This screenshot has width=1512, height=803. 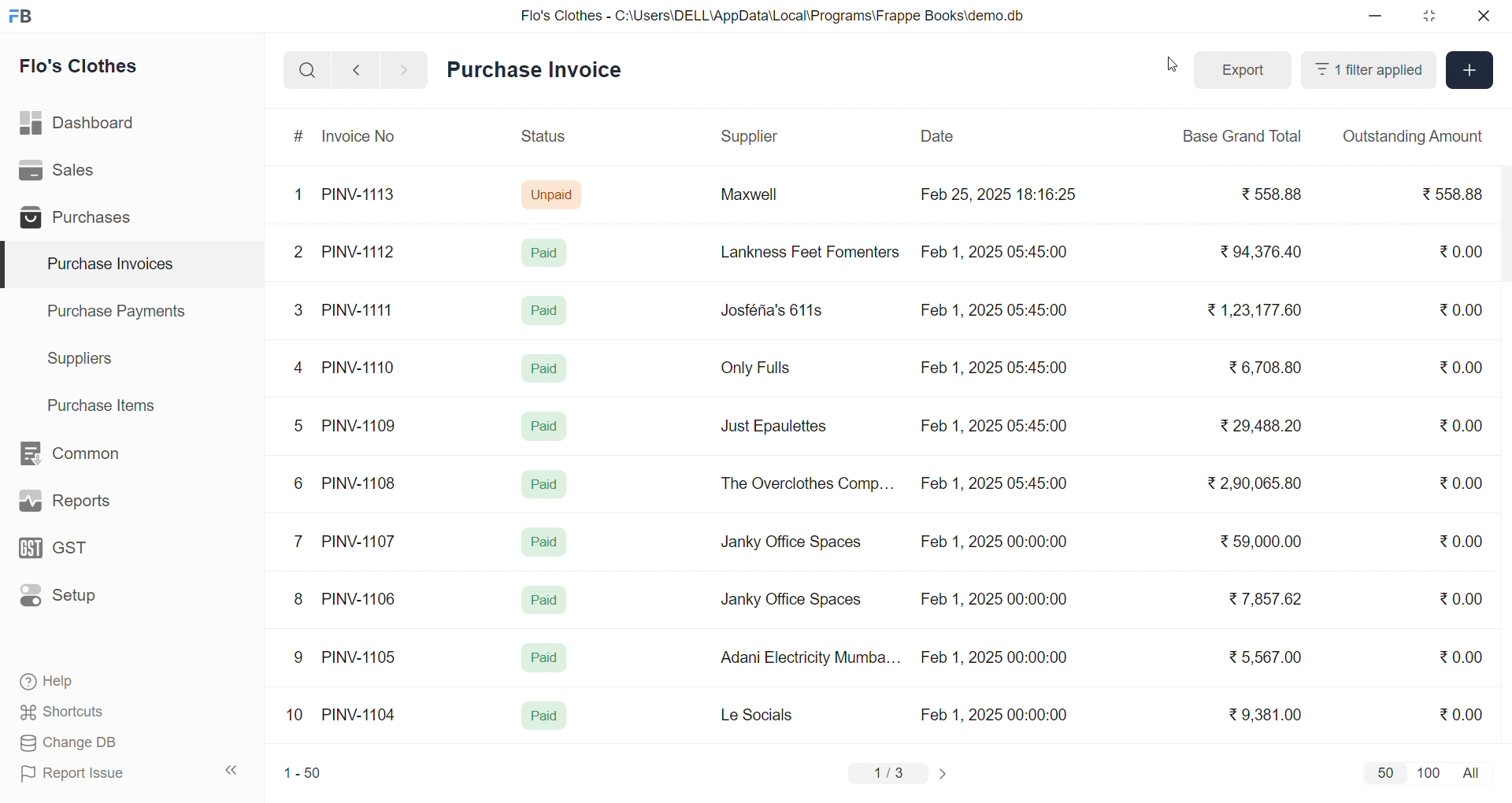 I want to click on 7, so click(x=302, y=540).